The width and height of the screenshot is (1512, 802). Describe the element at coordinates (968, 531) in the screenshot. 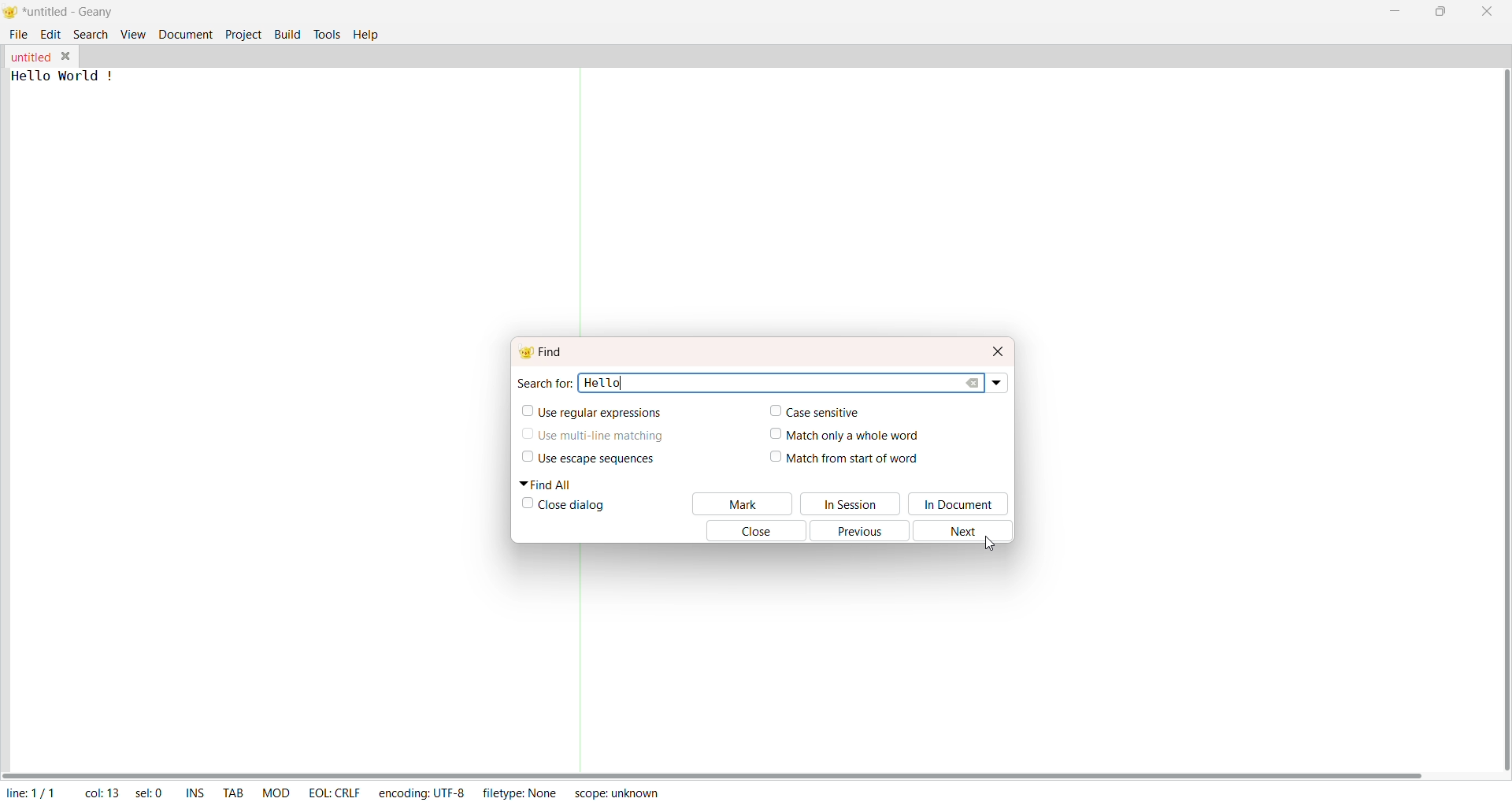

I see `Next` at that location.